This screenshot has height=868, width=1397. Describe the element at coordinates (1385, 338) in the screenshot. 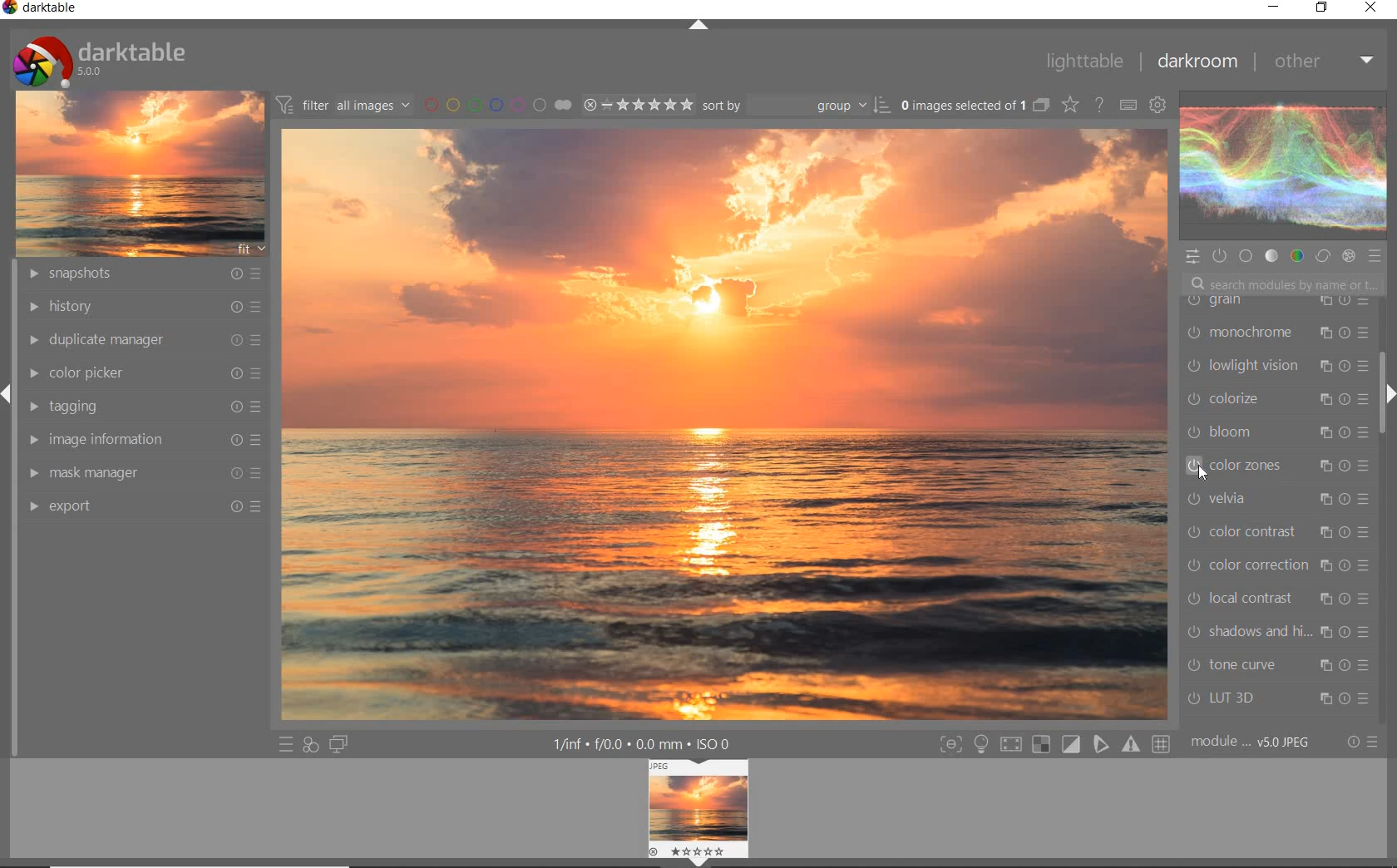

I see `SCROLLBAR` at that location.